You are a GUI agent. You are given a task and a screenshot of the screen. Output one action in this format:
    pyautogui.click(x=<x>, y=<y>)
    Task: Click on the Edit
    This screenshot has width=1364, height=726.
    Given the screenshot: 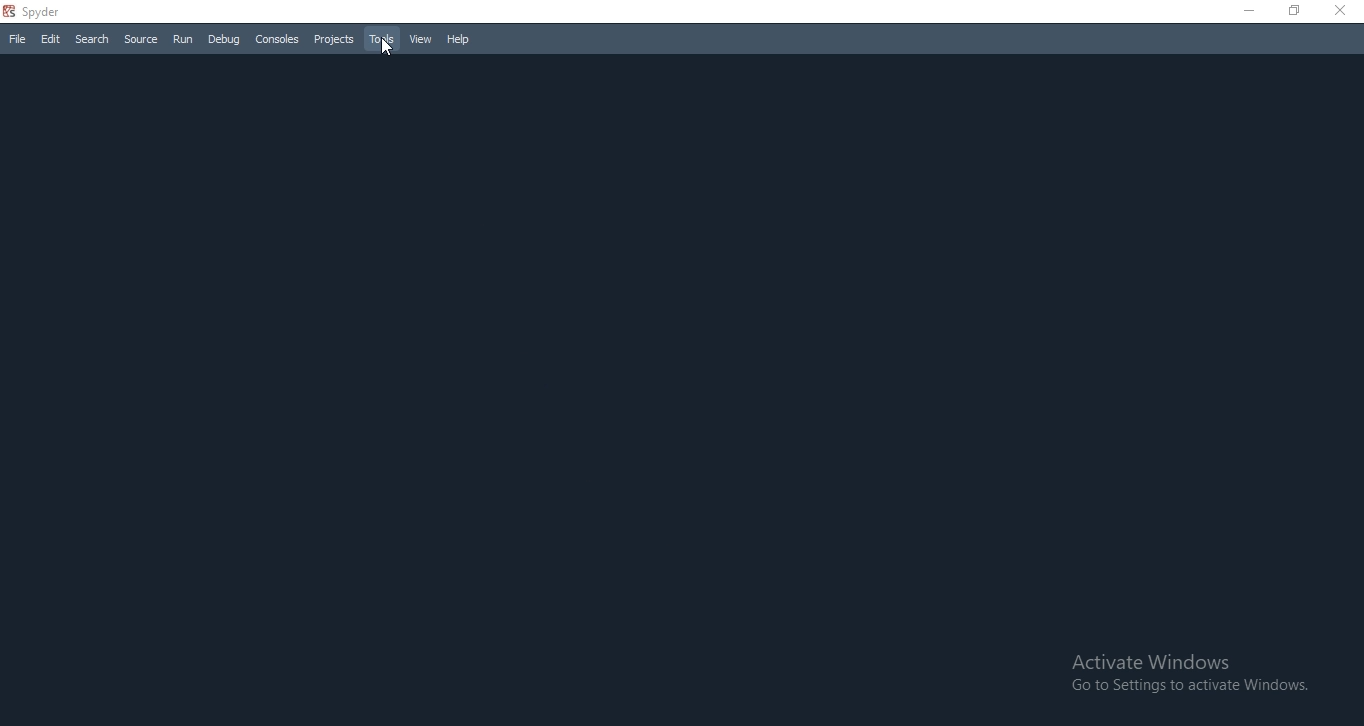 What is the action you would take?
    pyautogui.click(x=48, y=39)
    